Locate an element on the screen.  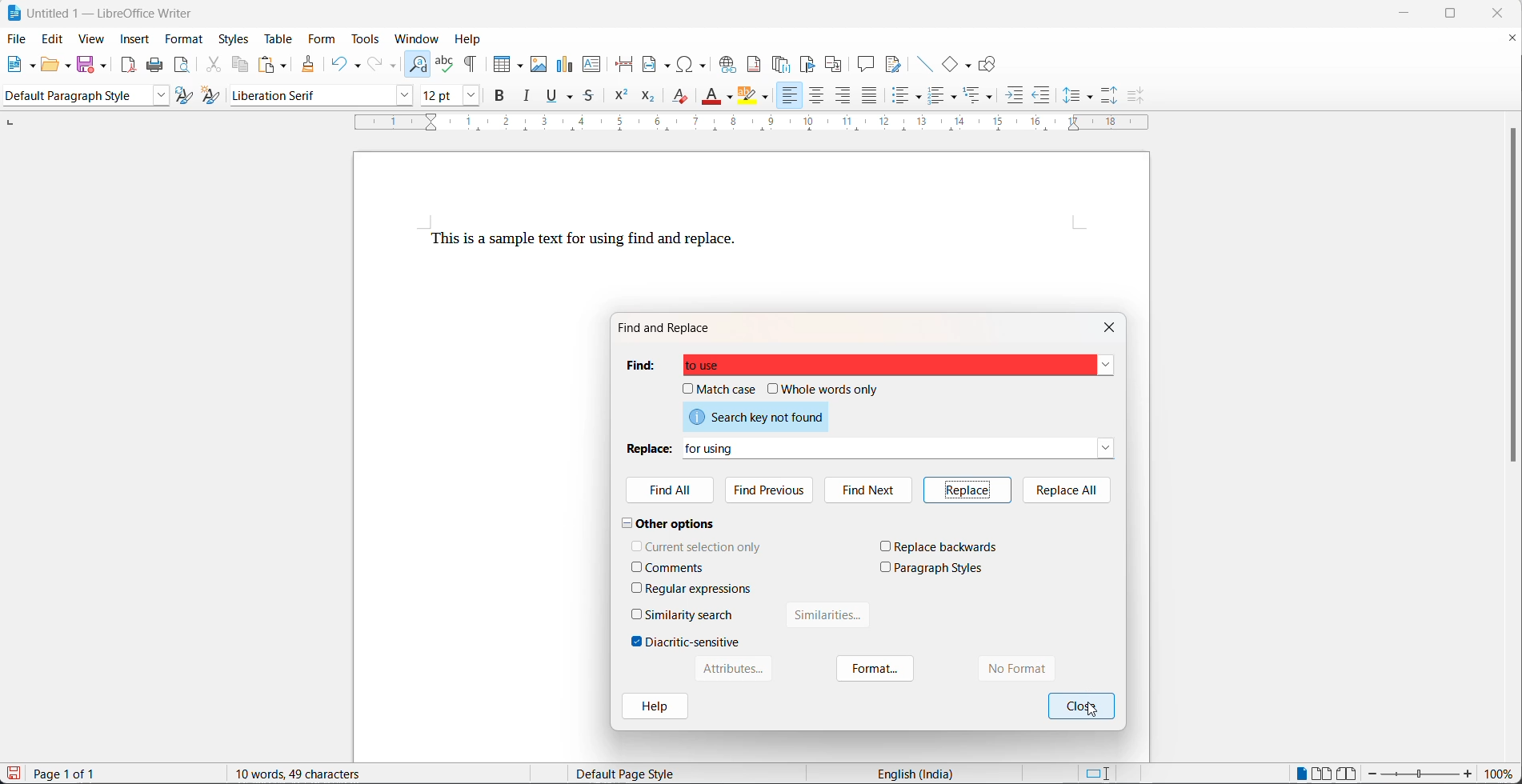
checkbox is located at coordinates (637, 587).